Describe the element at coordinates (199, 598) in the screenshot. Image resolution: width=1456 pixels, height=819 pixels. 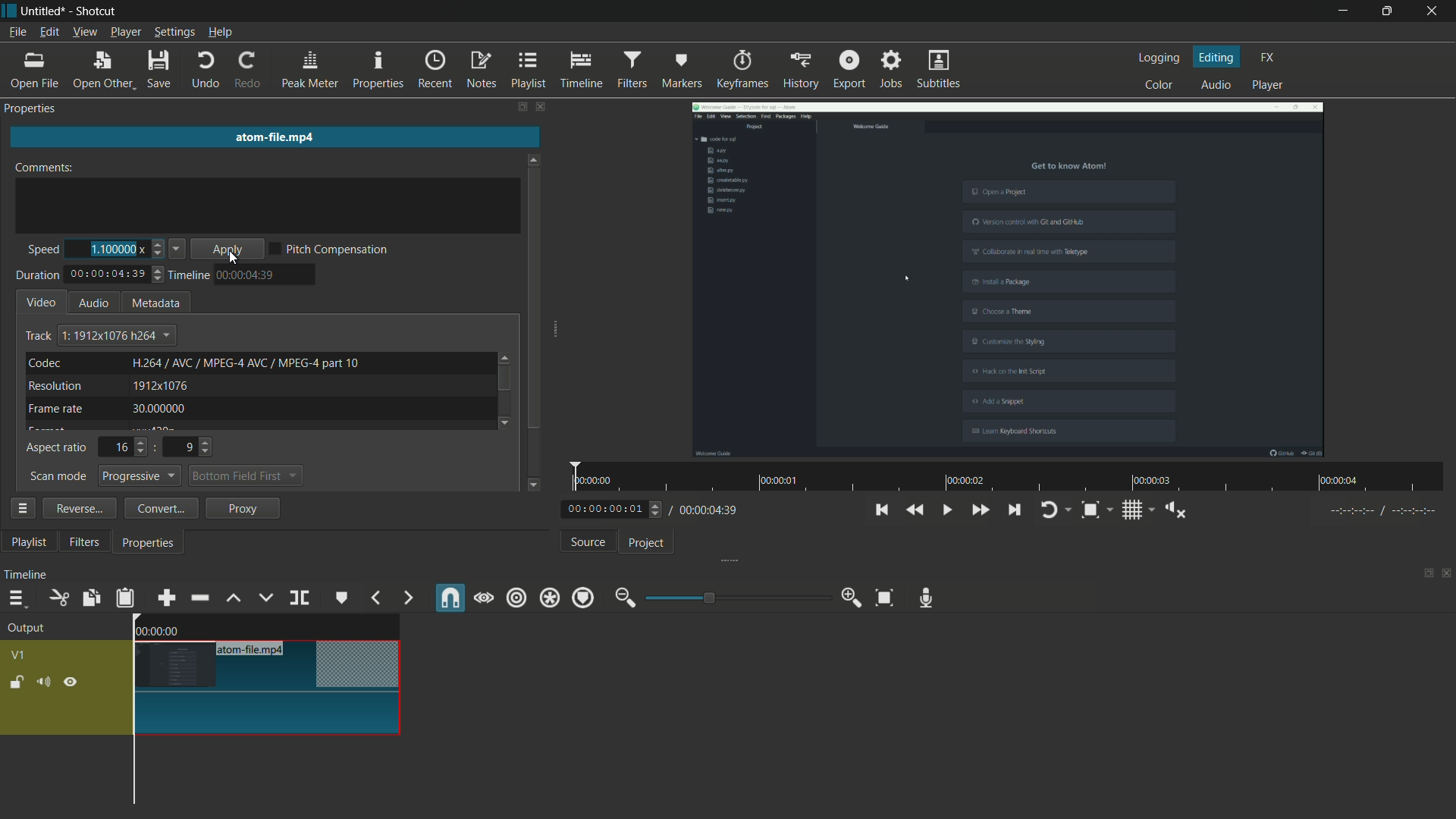
I see `ripple delete` at that location.